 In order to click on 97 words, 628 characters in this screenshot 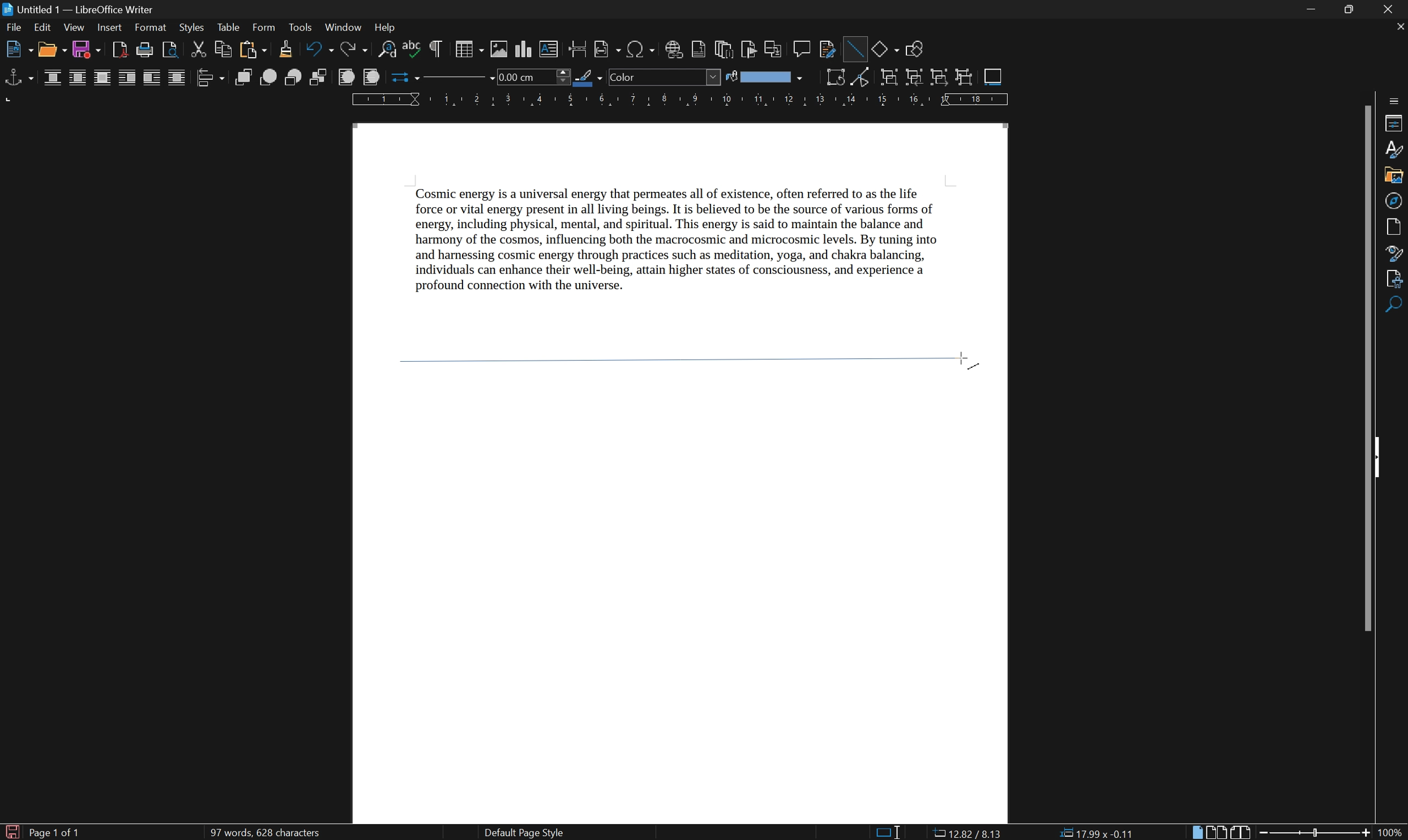, I will do `click(264, 833)`.